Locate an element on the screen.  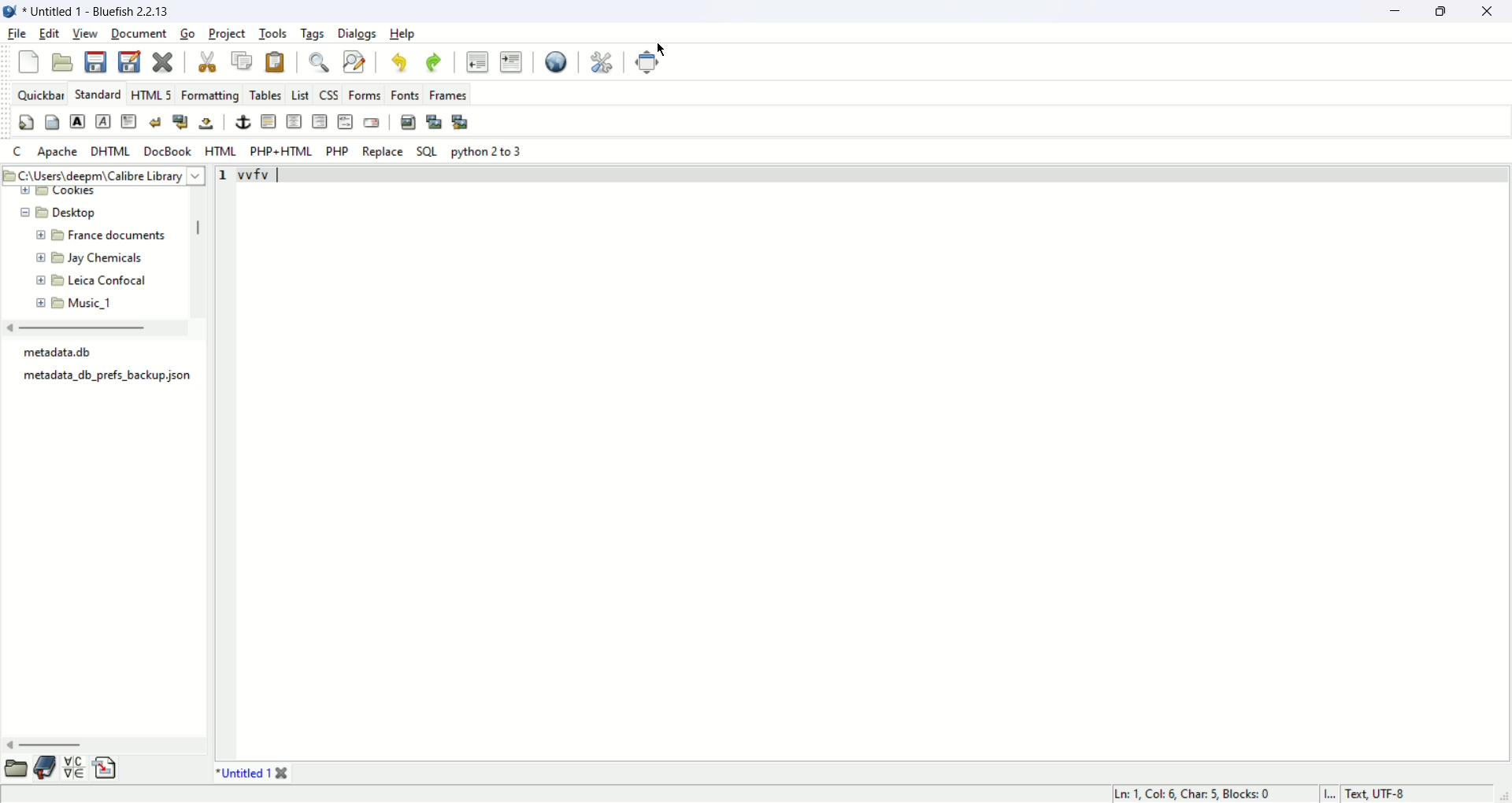
frames is located at coordinates (446, 94).